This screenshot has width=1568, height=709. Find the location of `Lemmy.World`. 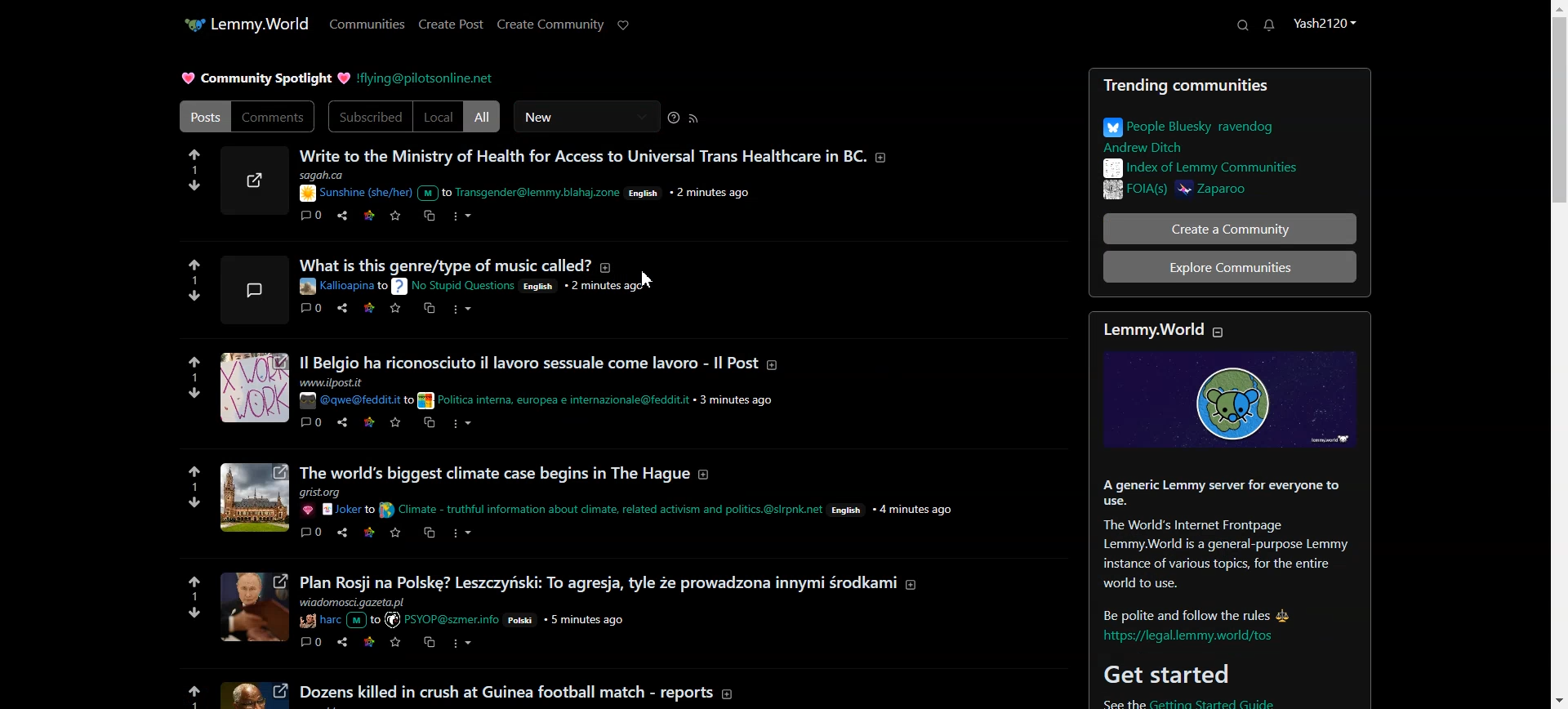

Lemmy.World is located at coordinates (260, 22).